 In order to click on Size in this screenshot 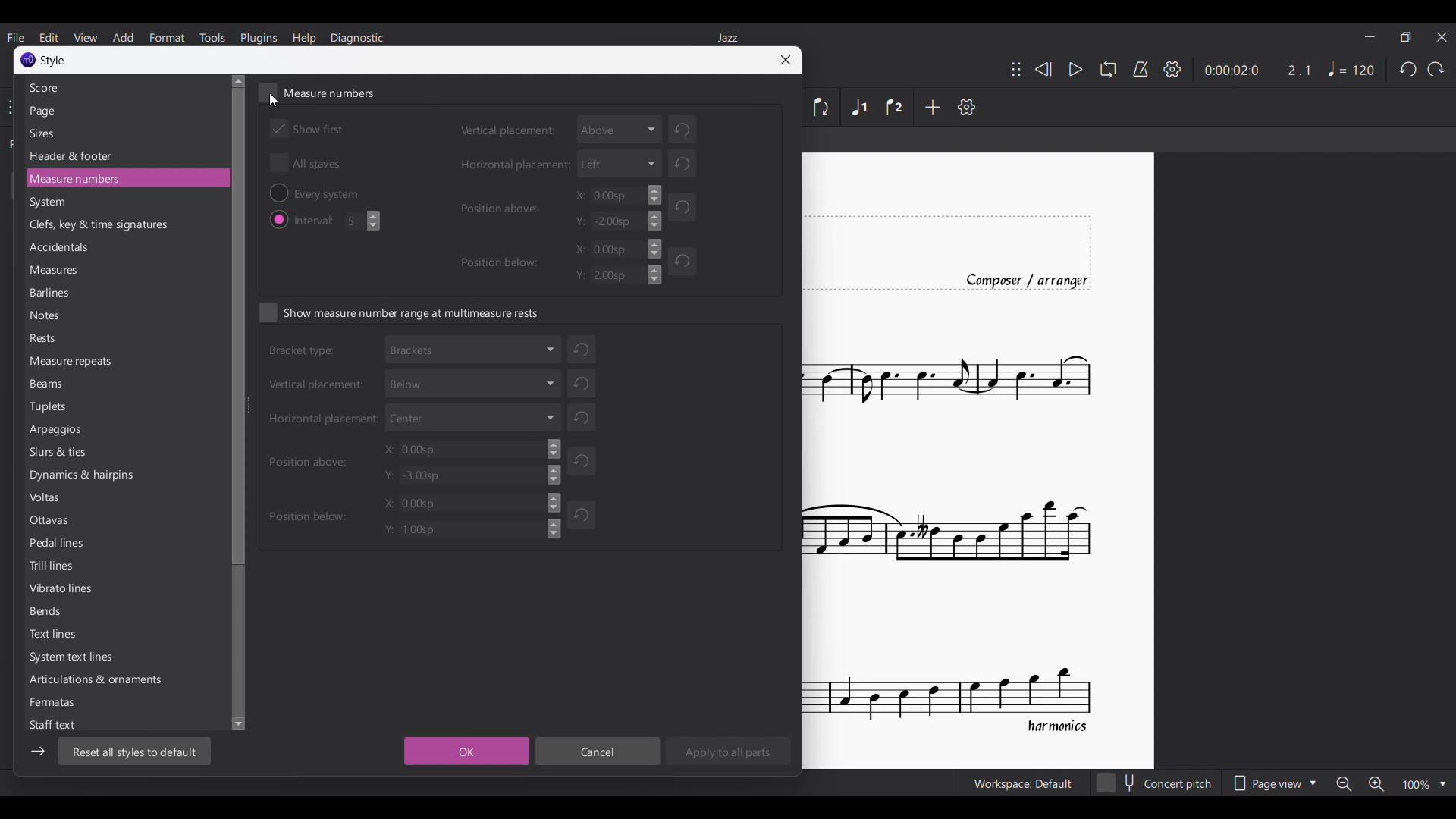, I will do `click(45, 133)`.